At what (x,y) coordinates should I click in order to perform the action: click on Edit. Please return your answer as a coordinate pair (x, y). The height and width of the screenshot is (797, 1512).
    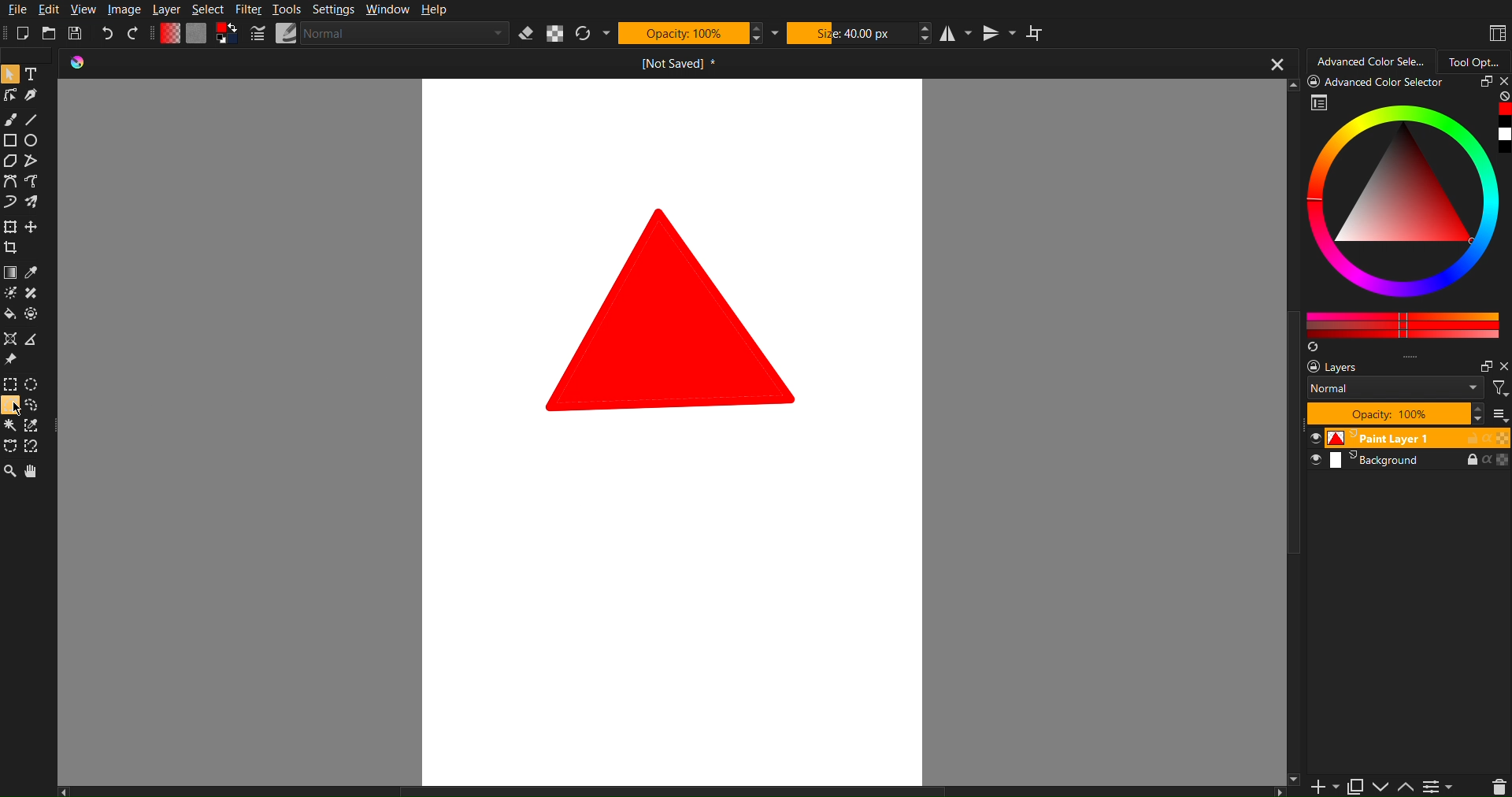
    Looking at the image, I should click on (50, 10).